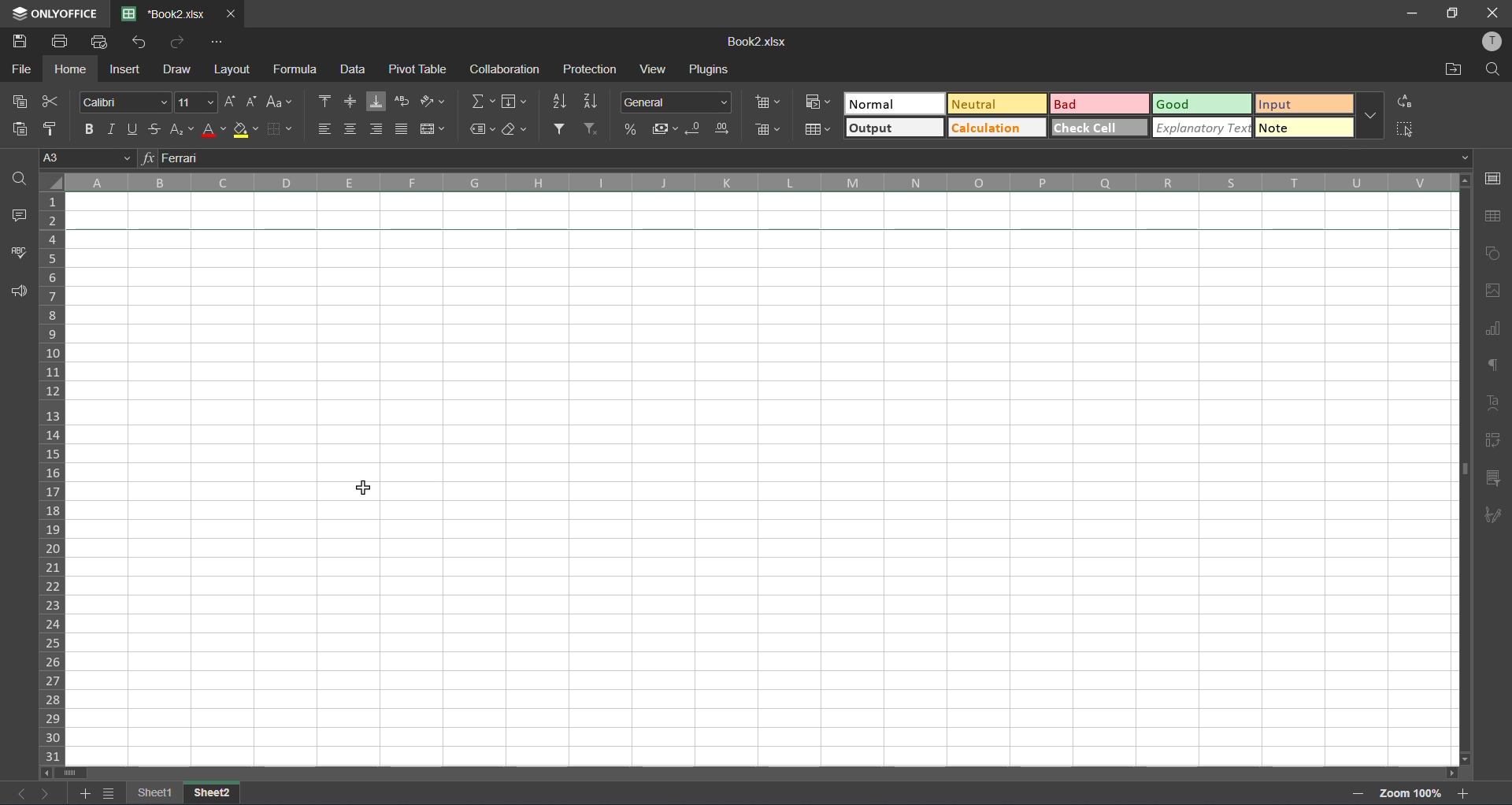 Image resolution: width=1512 pixels, height=805 pixels. I want to click on sort descending, so click(594, 101).